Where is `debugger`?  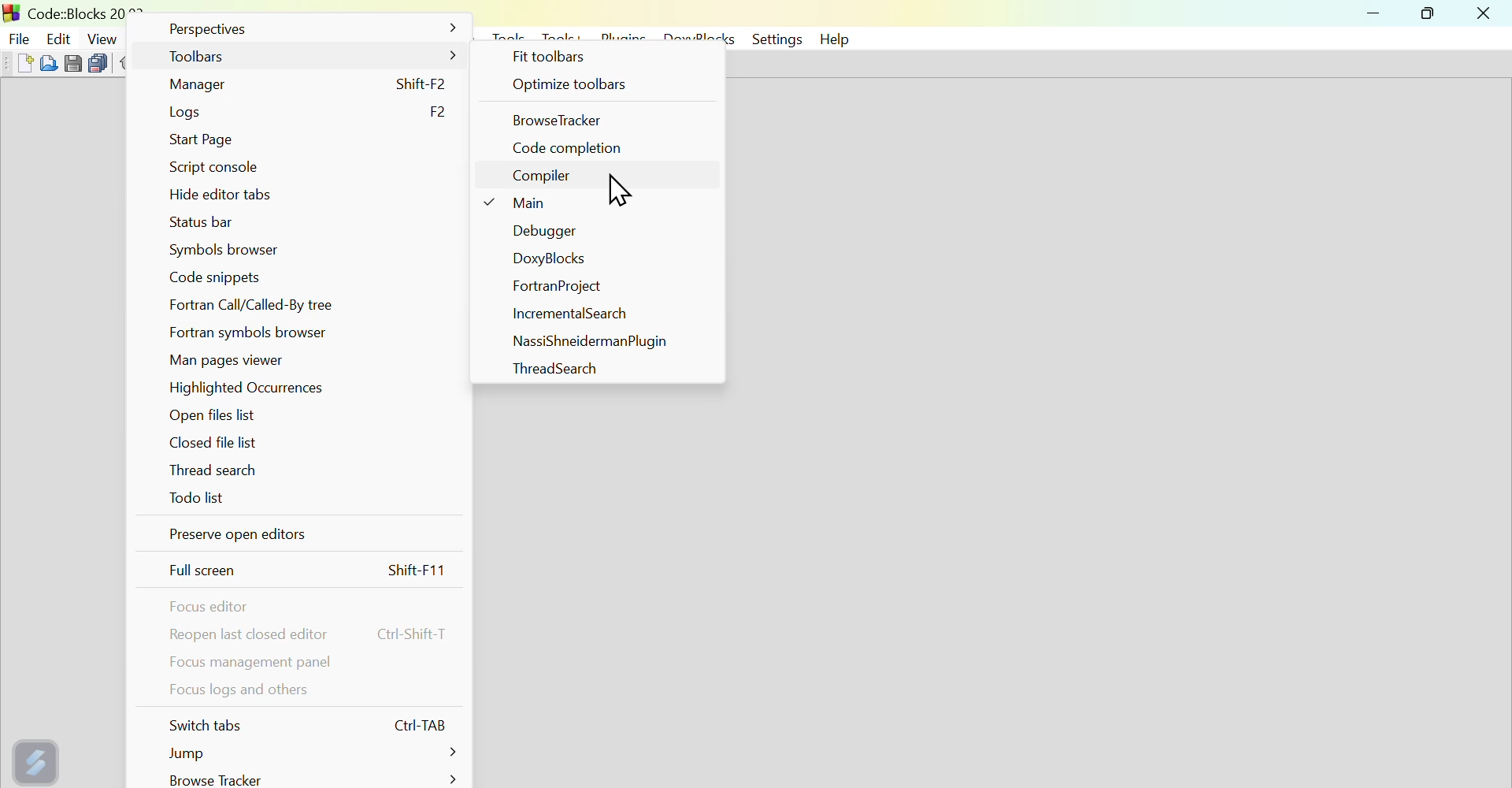
debugger is located at coordinates (539, 232).